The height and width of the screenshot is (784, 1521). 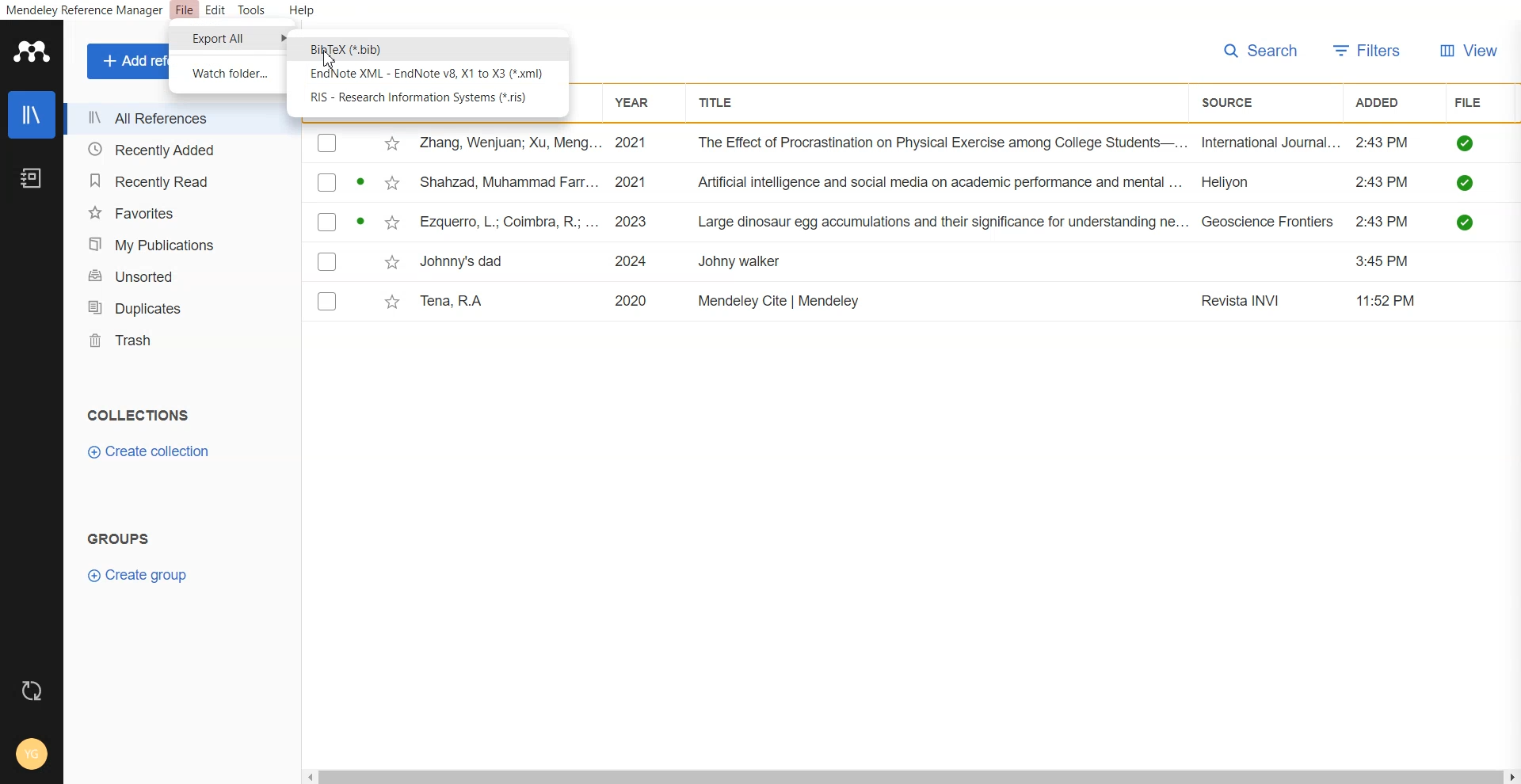 I want to click on Account, so click(x=32, y=756).